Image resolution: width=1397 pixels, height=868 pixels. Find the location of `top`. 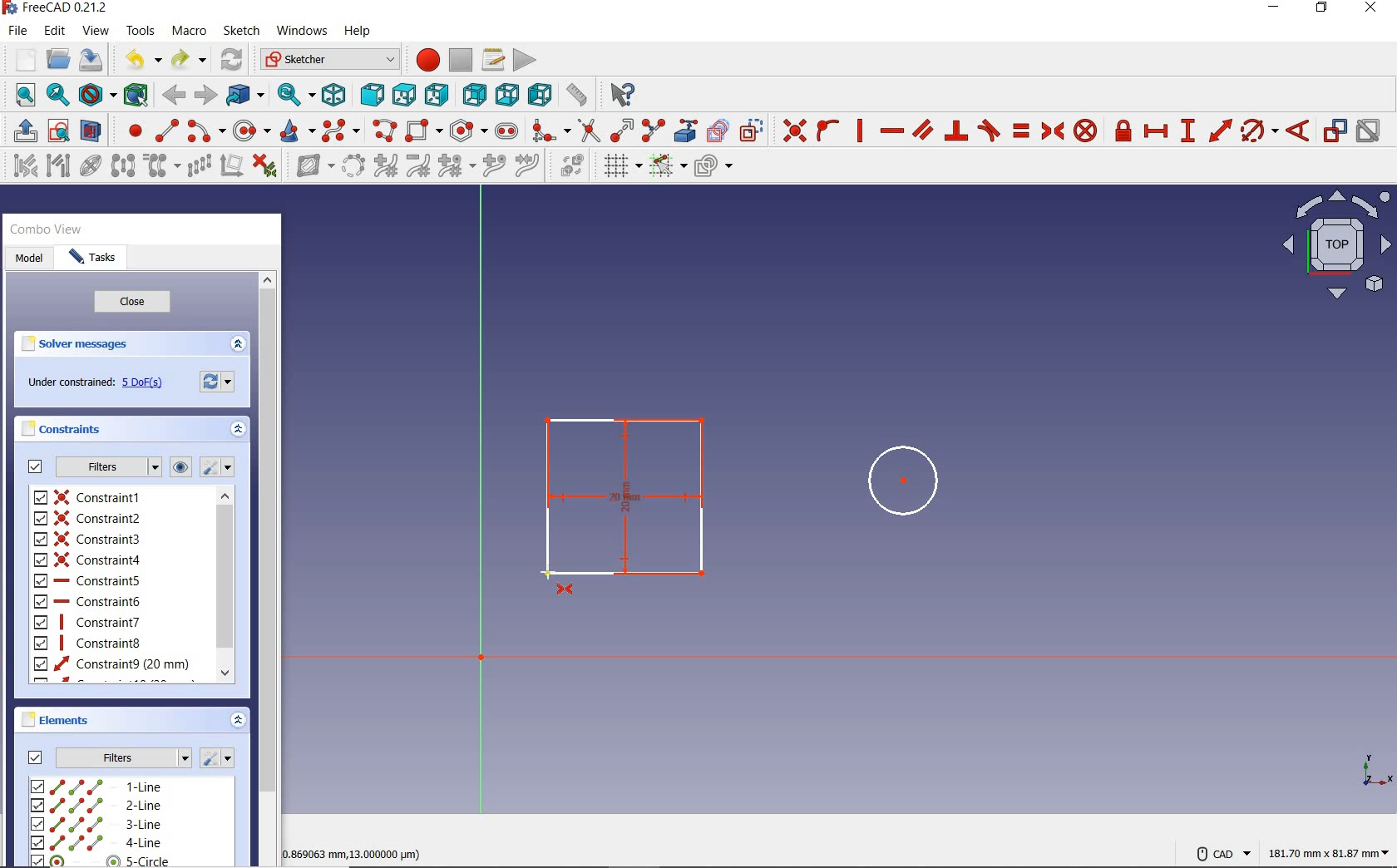

top is located at coordinates (404, 96).